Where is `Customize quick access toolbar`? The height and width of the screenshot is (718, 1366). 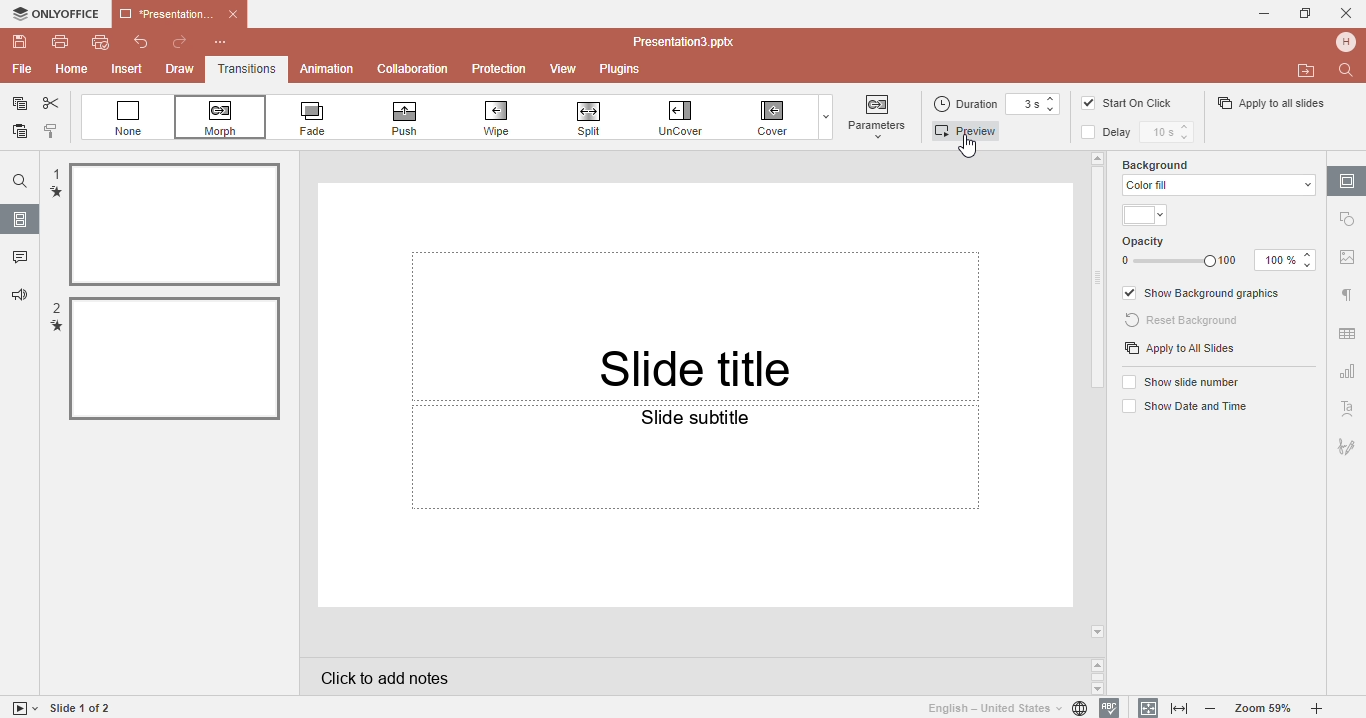 Customize quick access toolbar is located at coordinates (231, 42).